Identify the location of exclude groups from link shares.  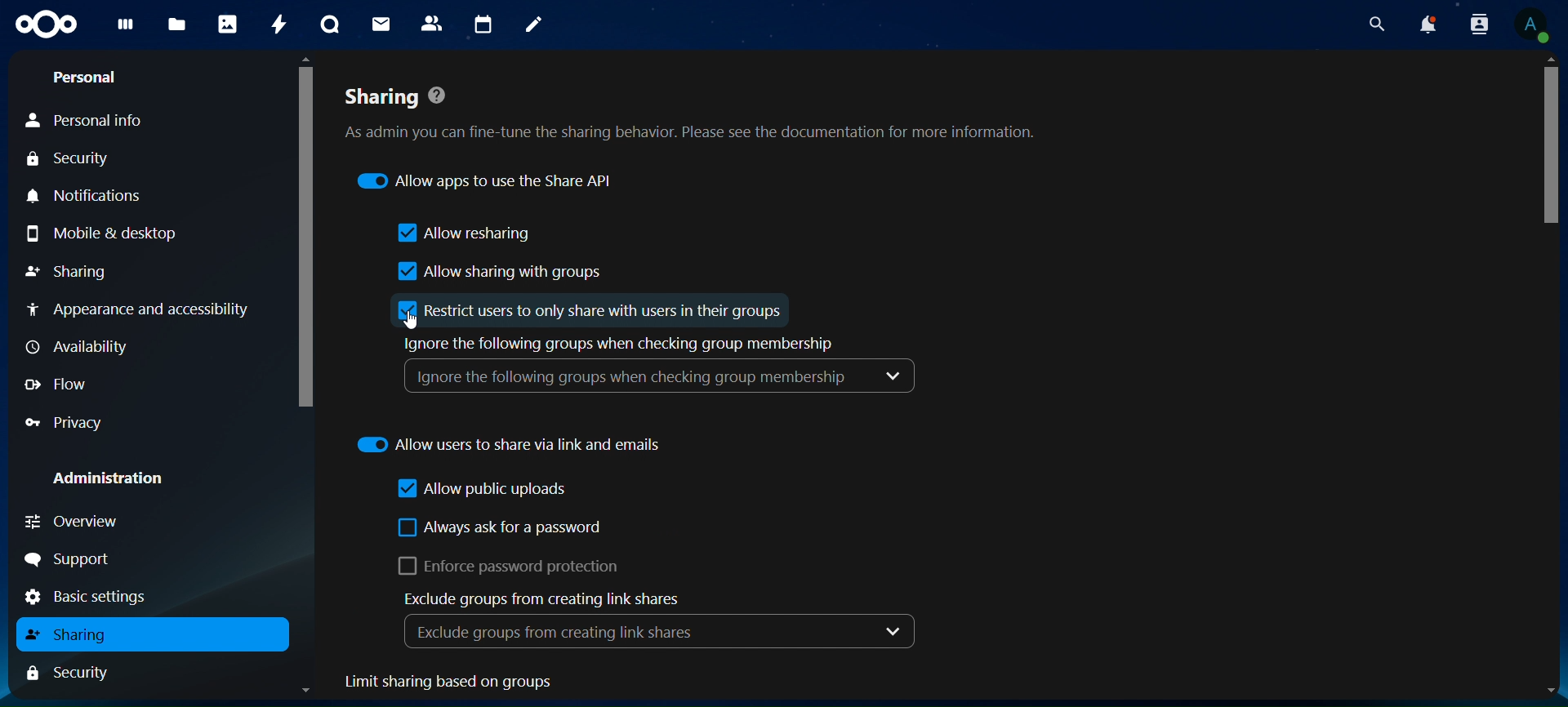
(666, 620).